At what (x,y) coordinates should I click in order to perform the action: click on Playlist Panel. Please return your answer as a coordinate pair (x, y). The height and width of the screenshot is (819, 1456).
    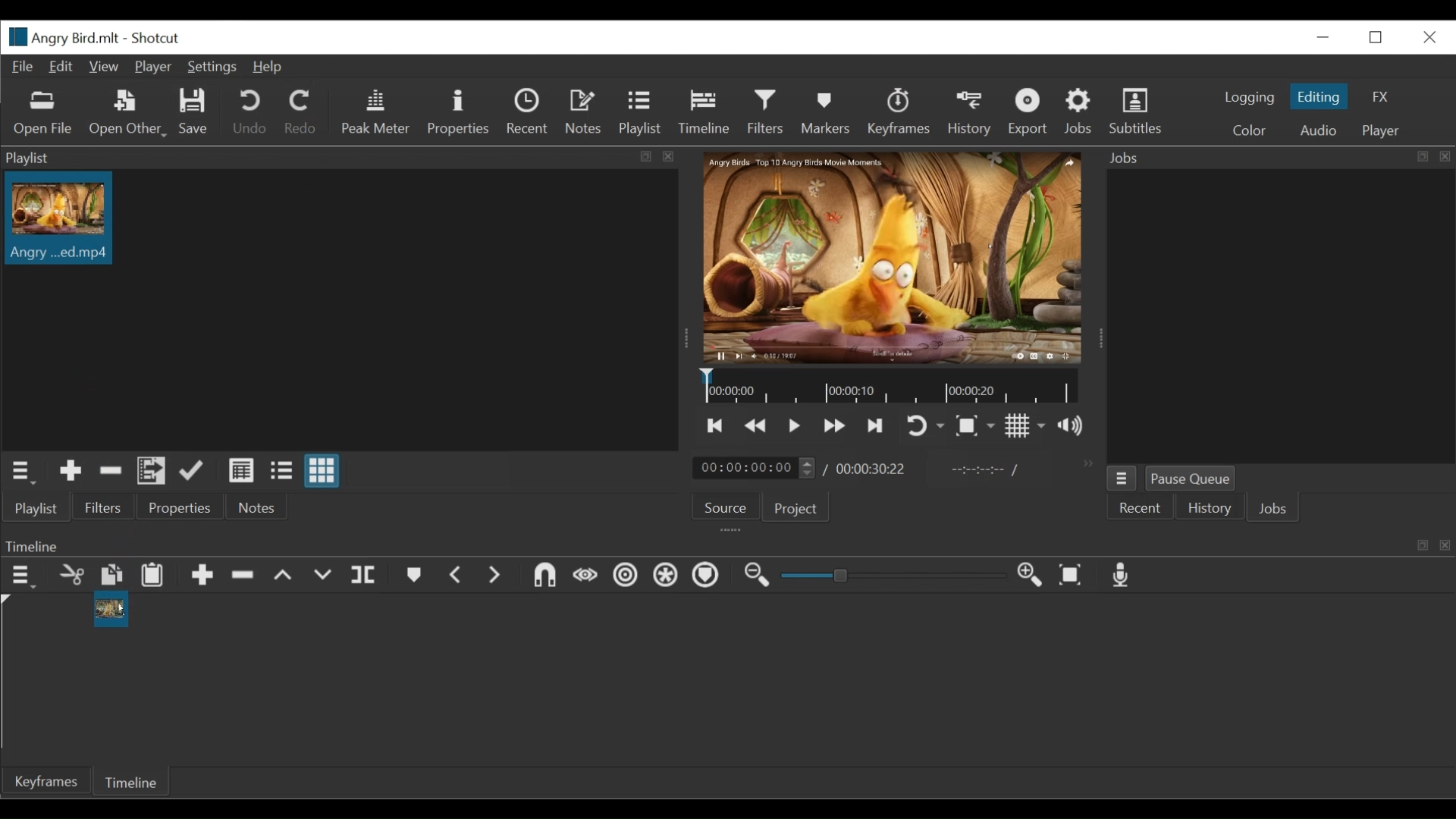
    Looking at the image, I should click on (343, 157).